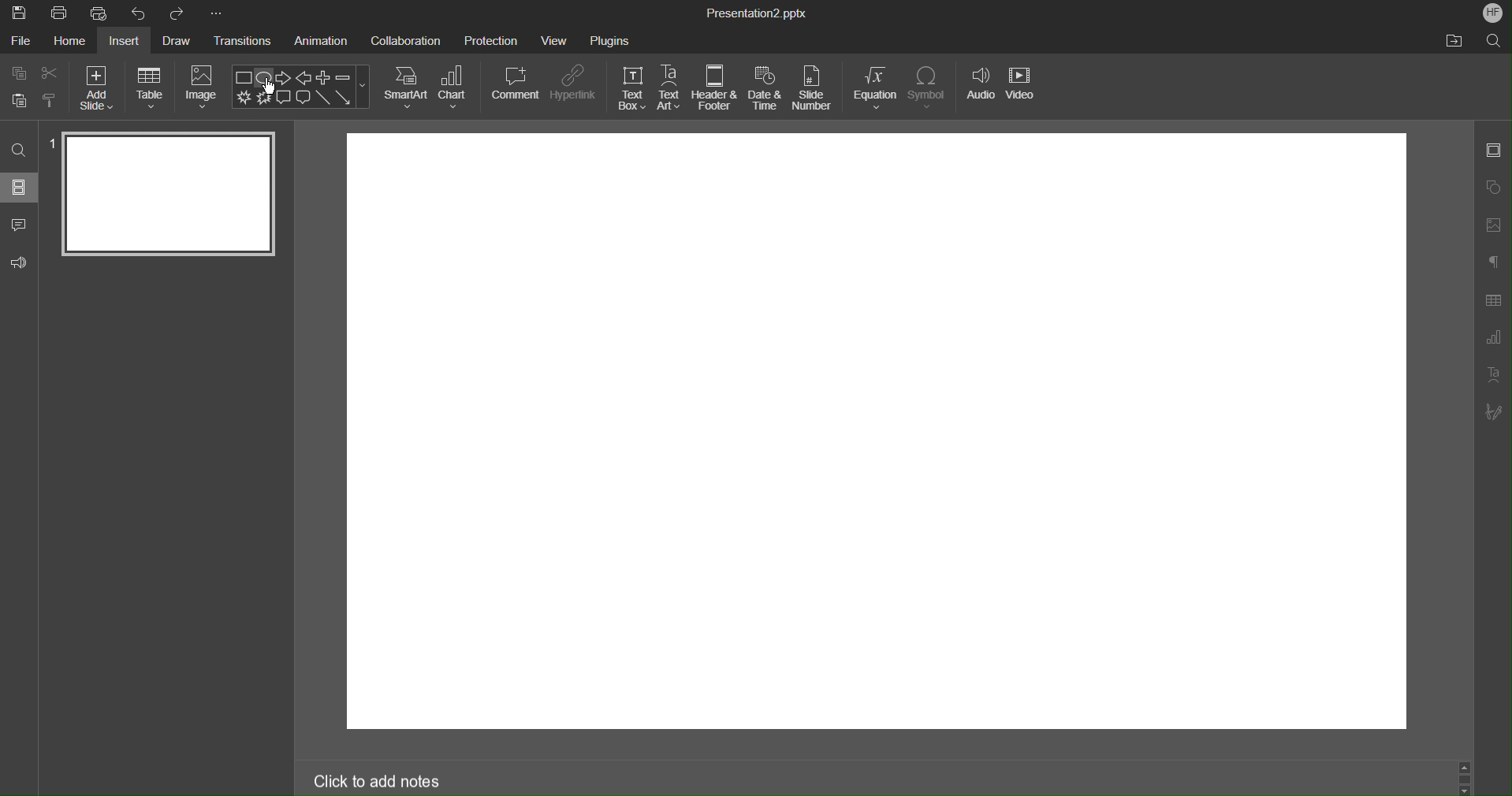 The height and width of the screenshot is (796, 1512). I want to click on Signature, so click(1494, 413).